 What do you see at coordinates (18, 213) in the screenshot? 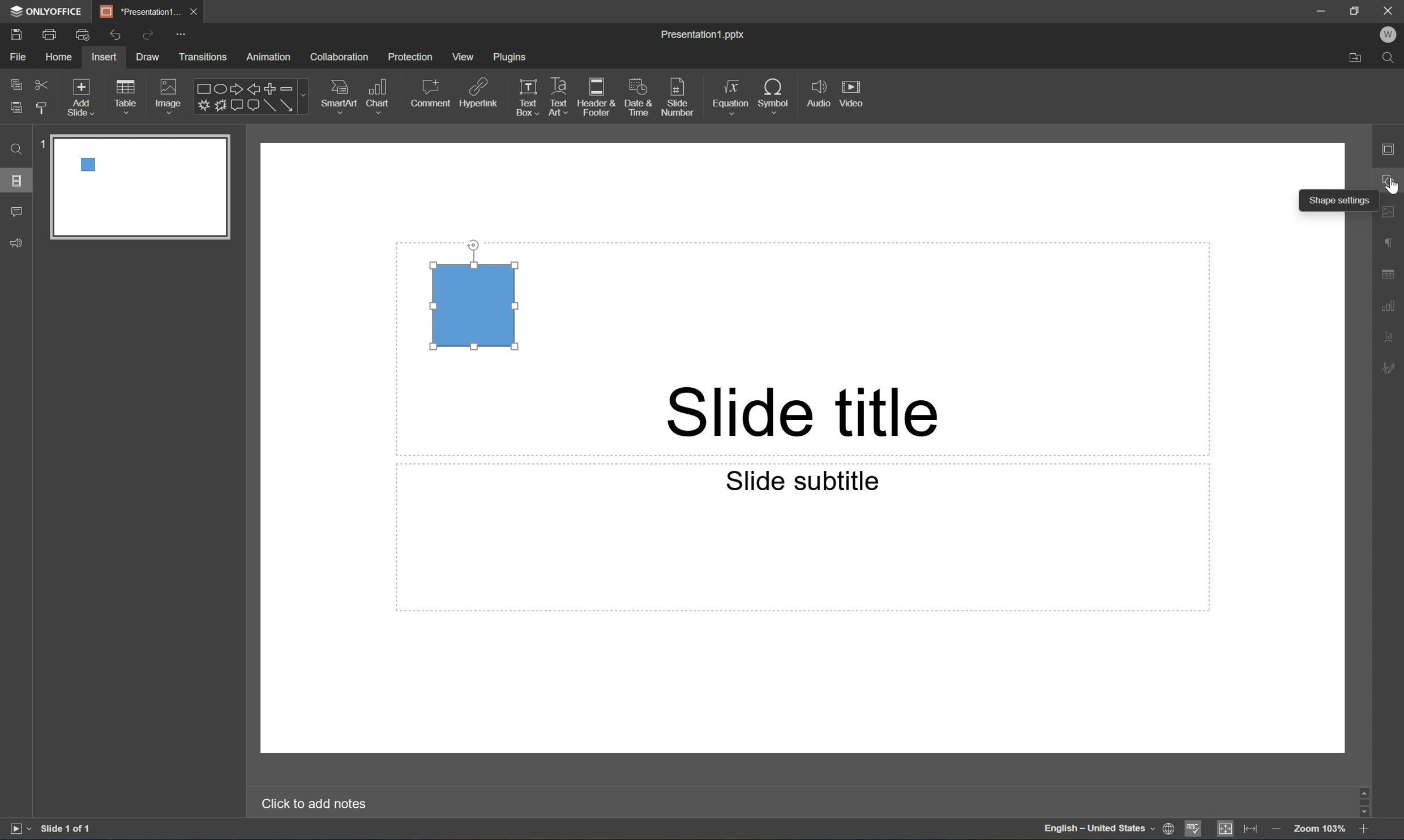
I see `Comment` at bounding box center [18, 213].